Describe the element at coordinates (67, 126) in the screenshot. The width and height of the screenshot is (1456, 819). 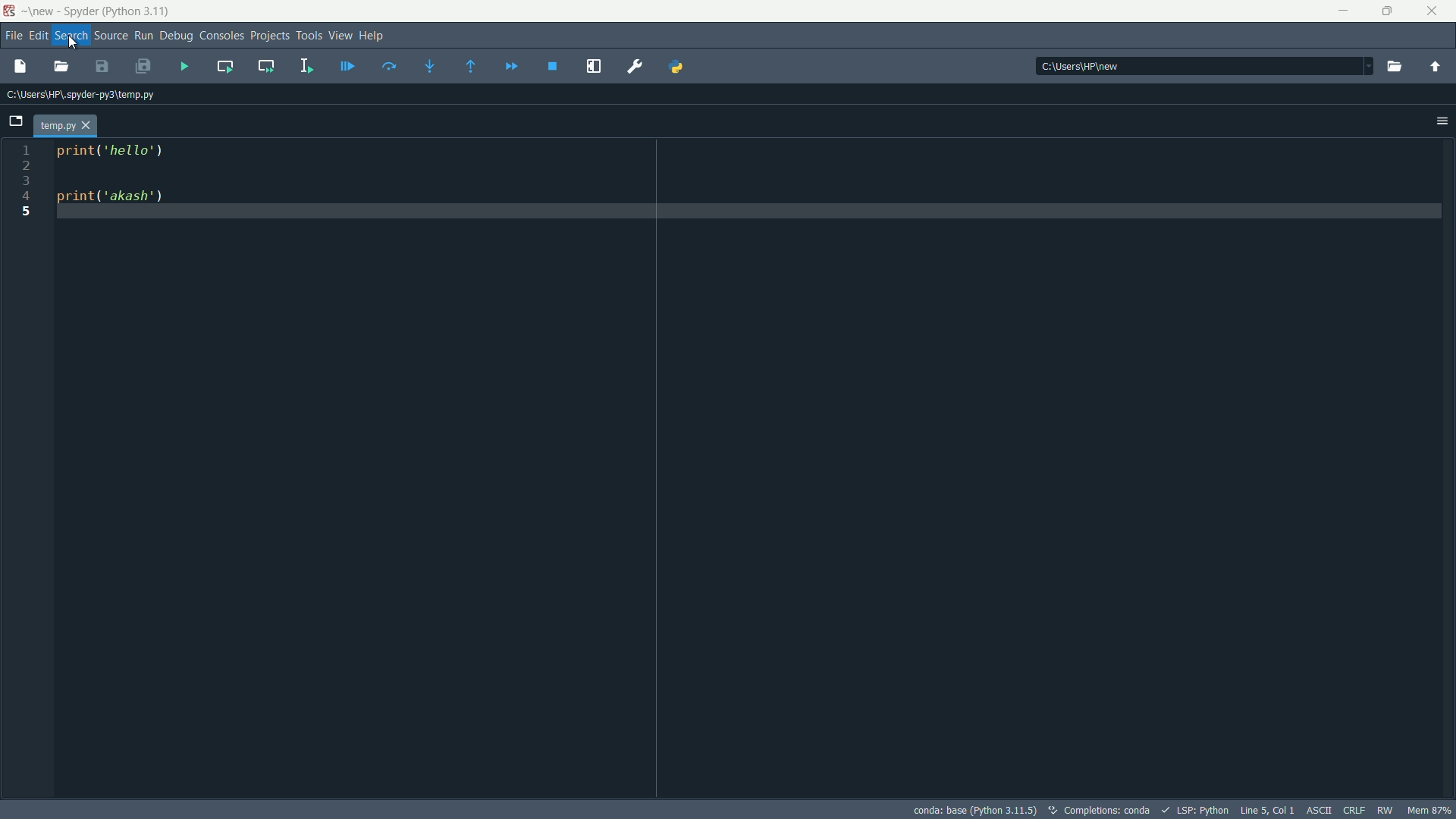
I see `Current file tab` at that location.